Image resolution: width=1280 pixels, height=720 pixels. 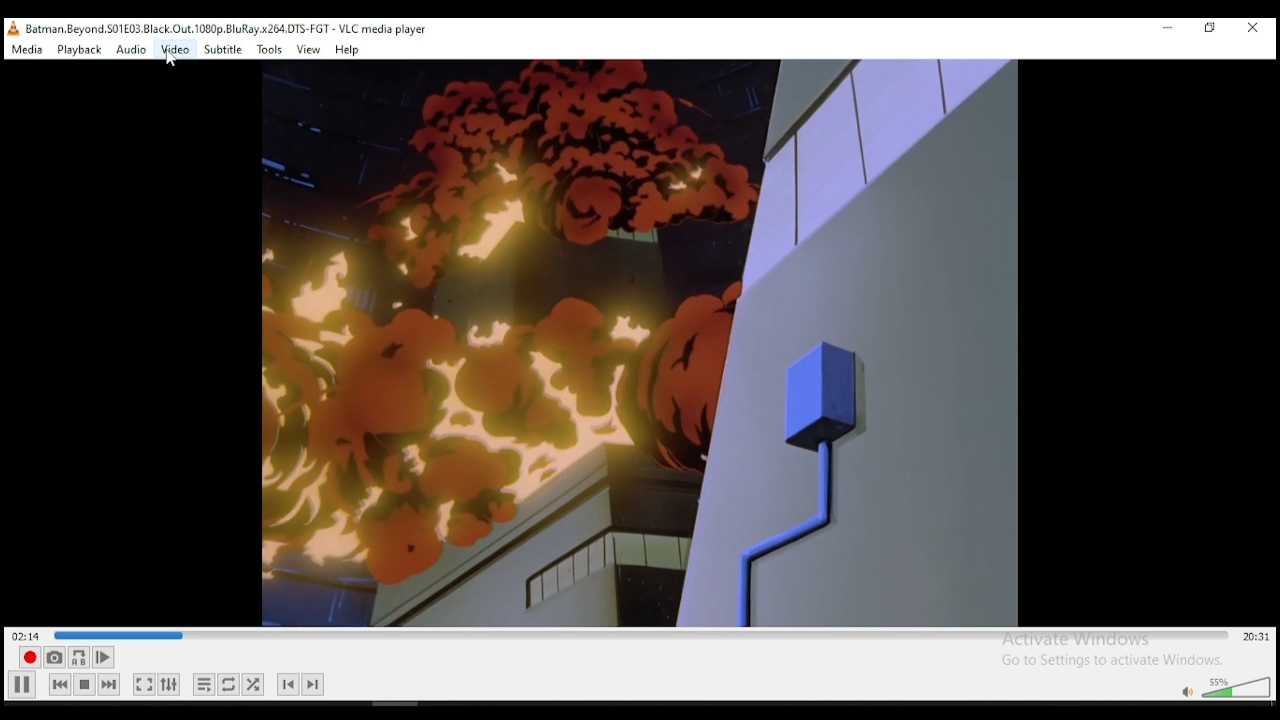 I want to click on previous media in playlist, skips backward when held, so click(x=60, y=685).